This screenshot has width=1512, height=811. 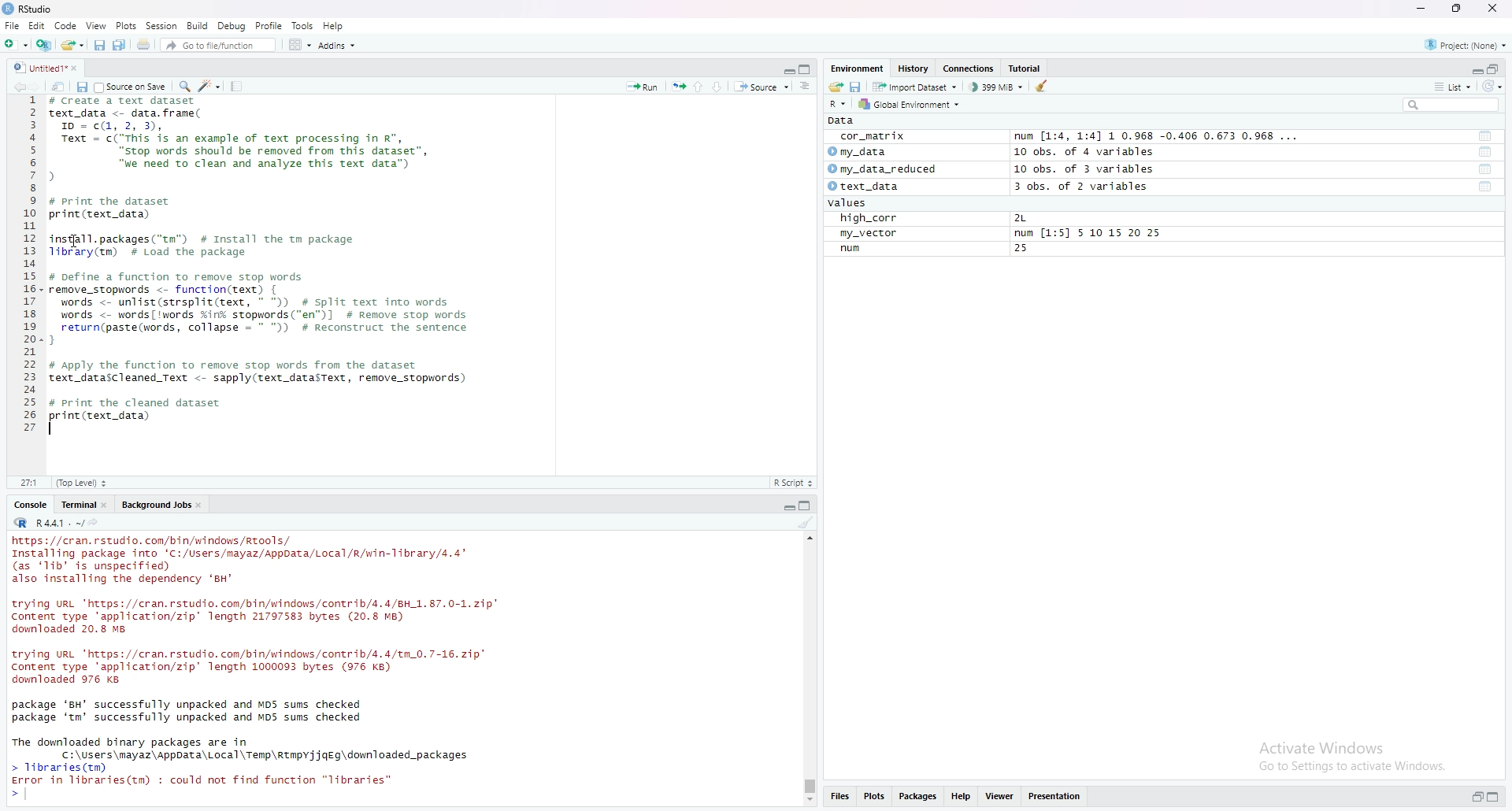 I want to click on list, so click(x=1456, y=87).